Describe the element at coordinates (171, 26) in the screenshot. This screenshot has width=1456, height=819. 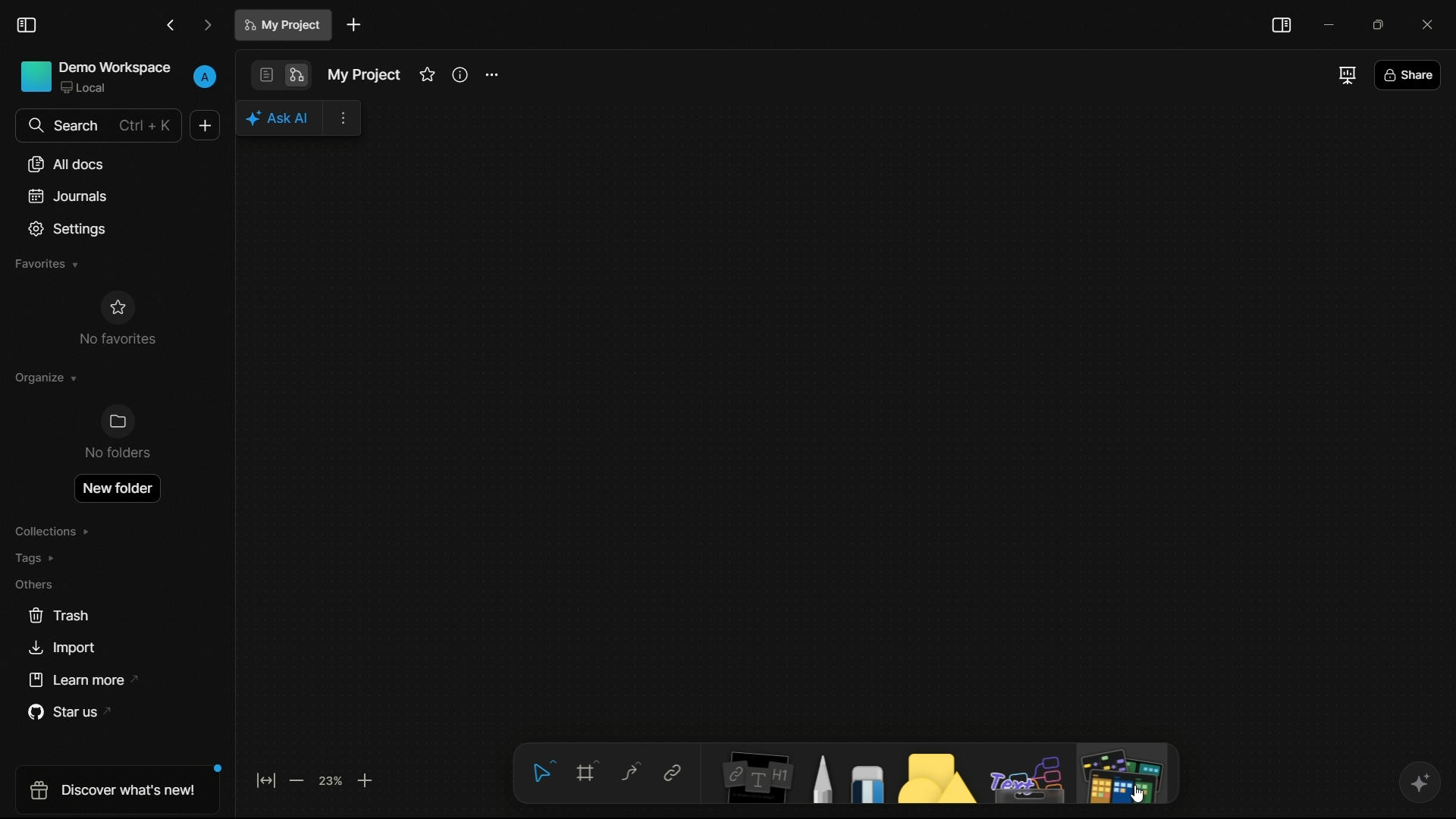
I see `back` at that location.